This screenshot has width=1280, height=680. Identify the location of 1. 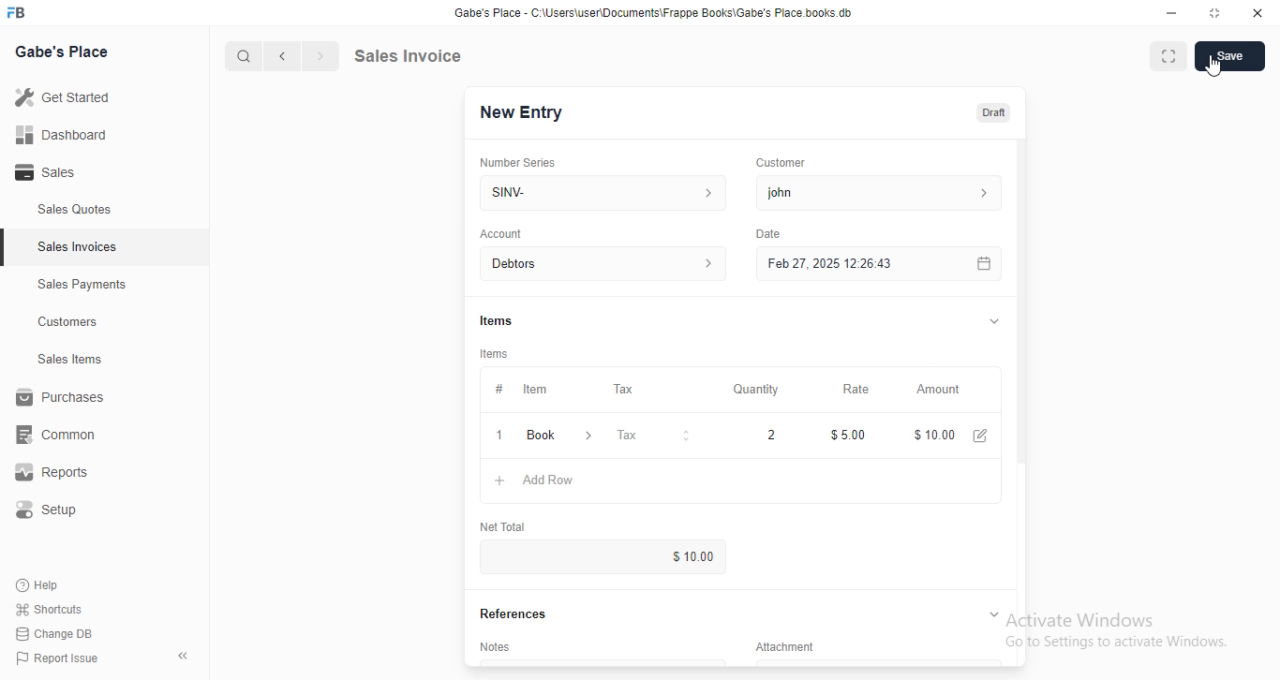
(498, 436).